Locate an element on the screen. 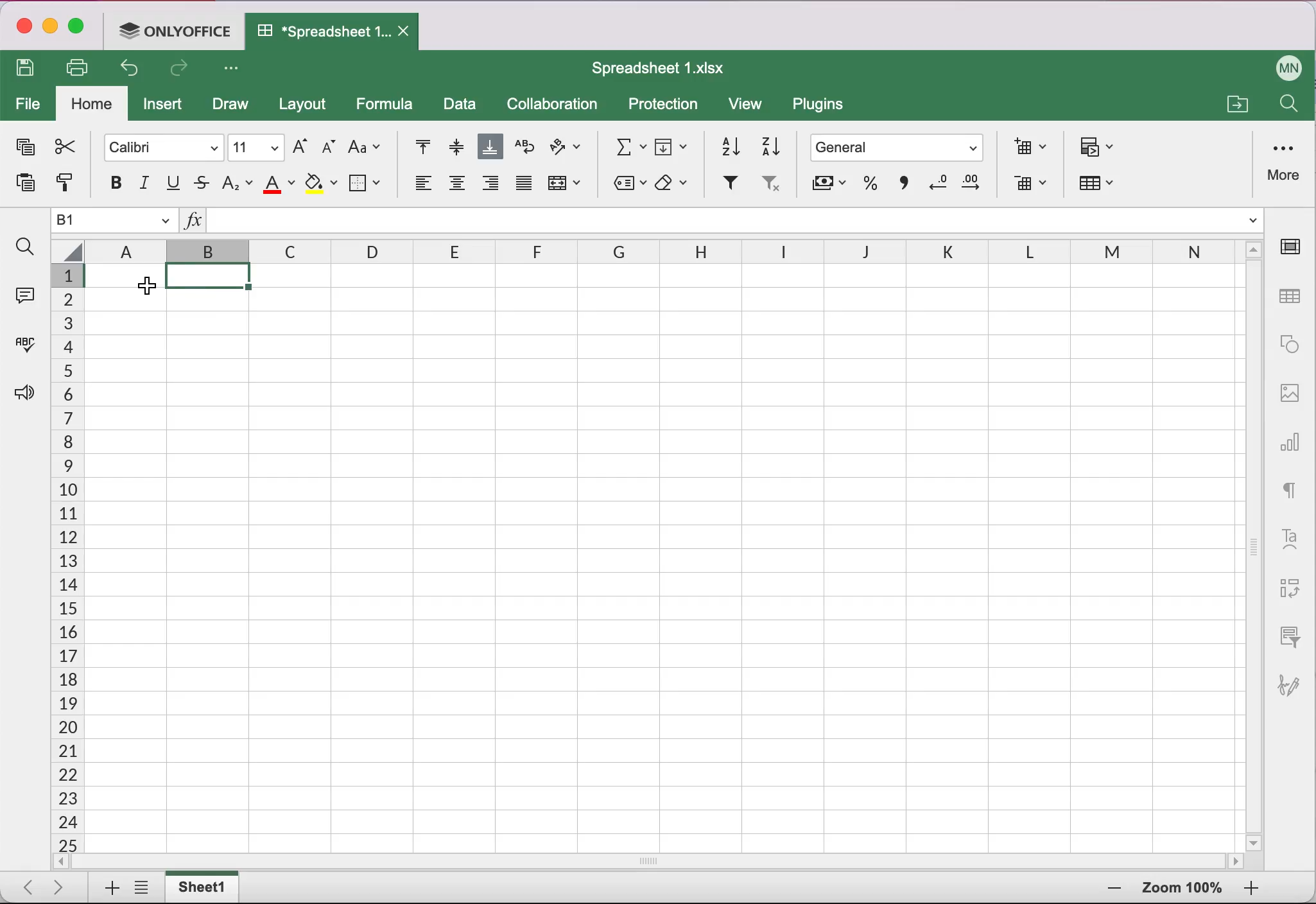 The width and height of the screenshot is (1316, 904). ONLYOFFICE is located at coordinates (178, 30).